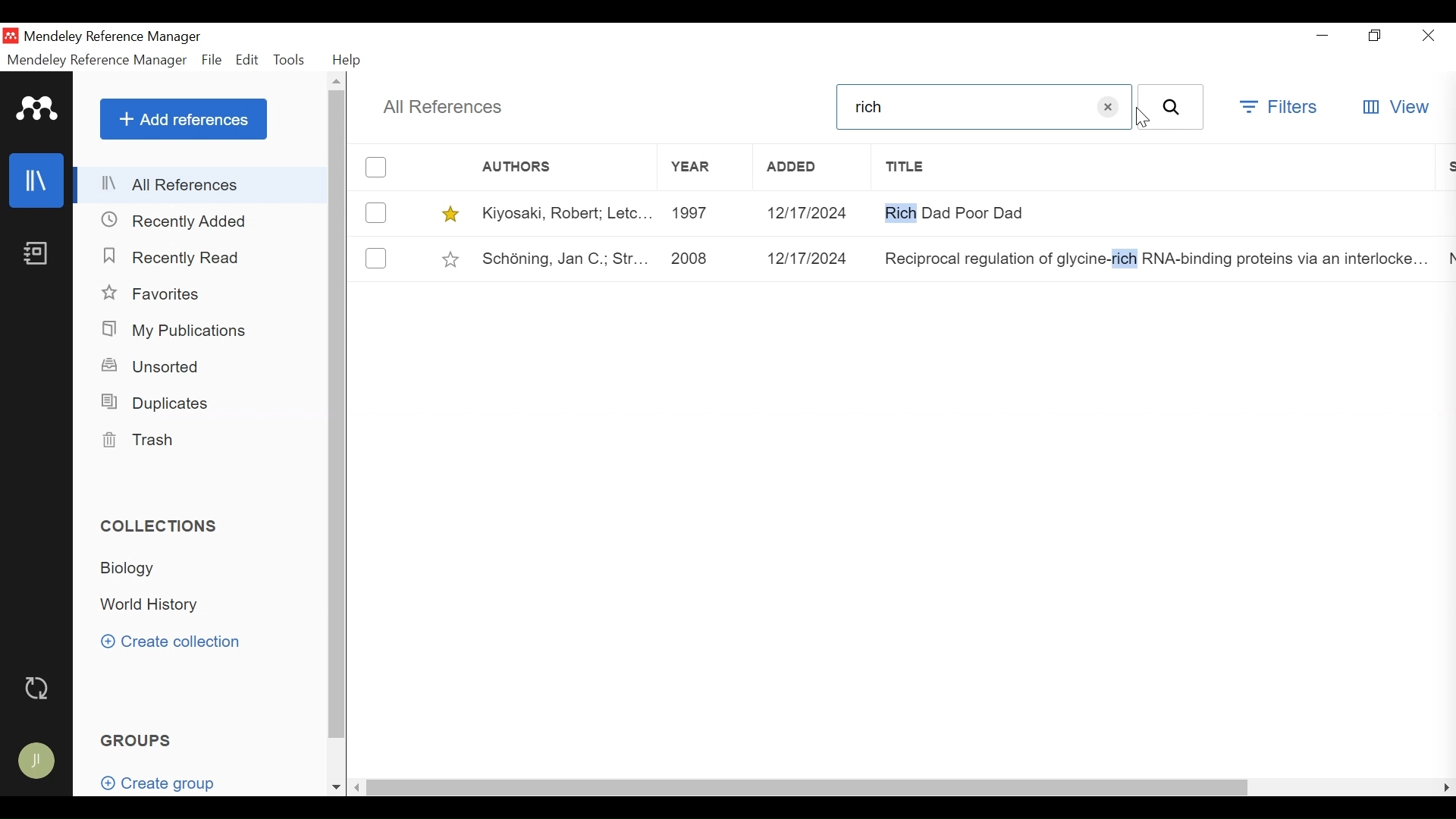 Image resolution: width=1456 pixels, height=819 pixels. I want to click on Authors, so click(532, 167).